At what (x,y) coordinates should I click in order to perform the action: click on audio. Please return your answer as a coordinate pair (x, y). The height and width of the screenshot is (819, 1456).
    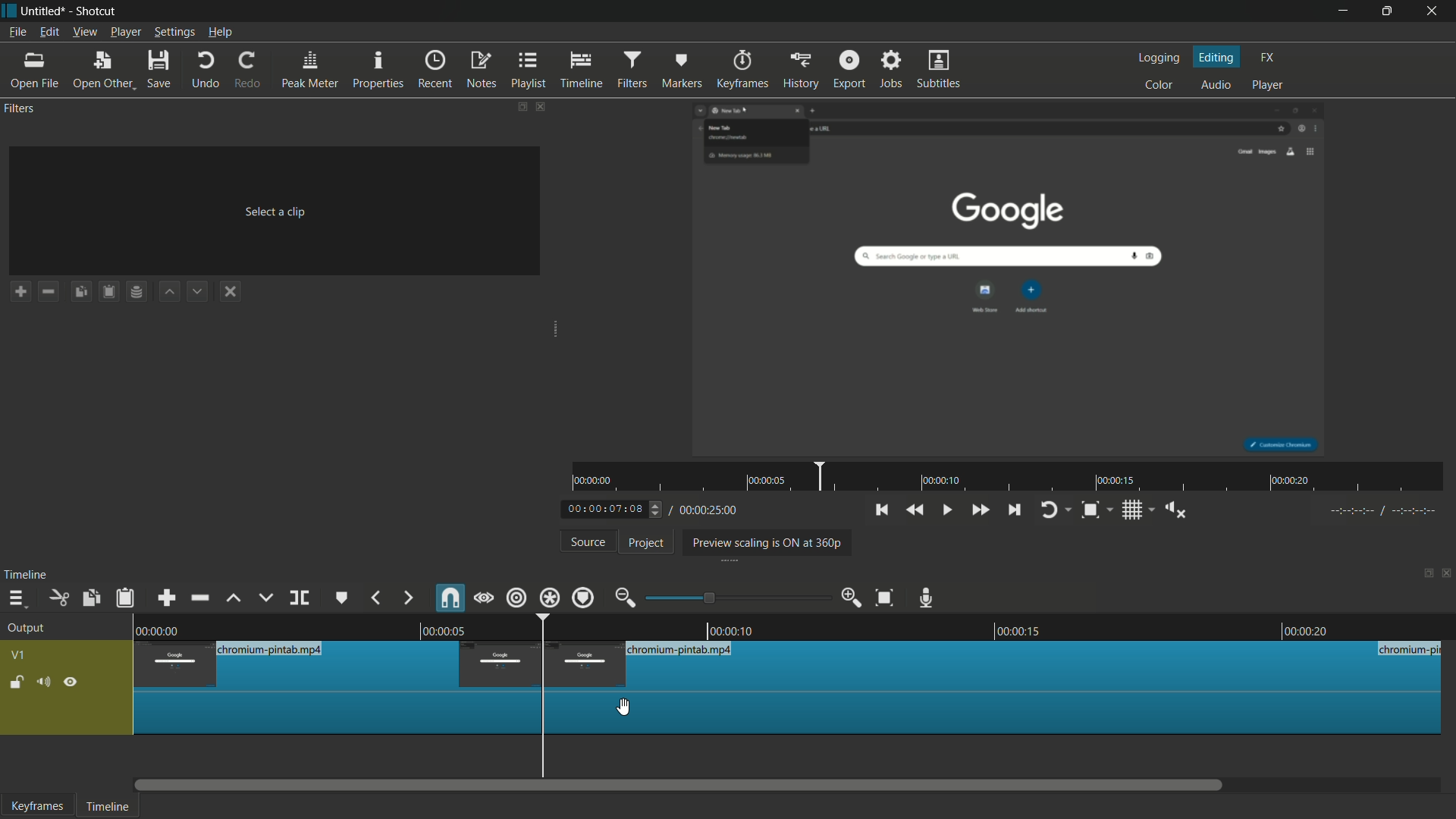
    Looking at the image, I should click on (1216, 86).